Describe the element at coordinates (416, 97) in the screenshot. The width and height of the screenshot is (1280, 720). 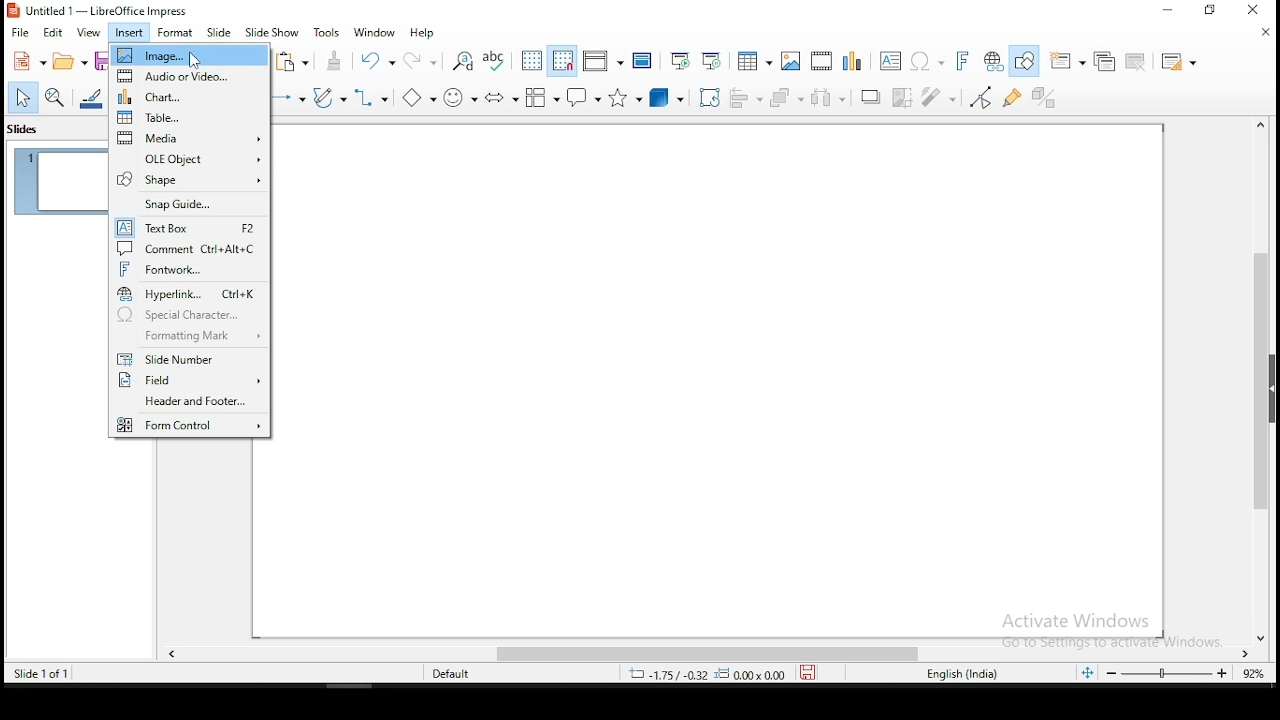
I see `basic shapes` at that location.